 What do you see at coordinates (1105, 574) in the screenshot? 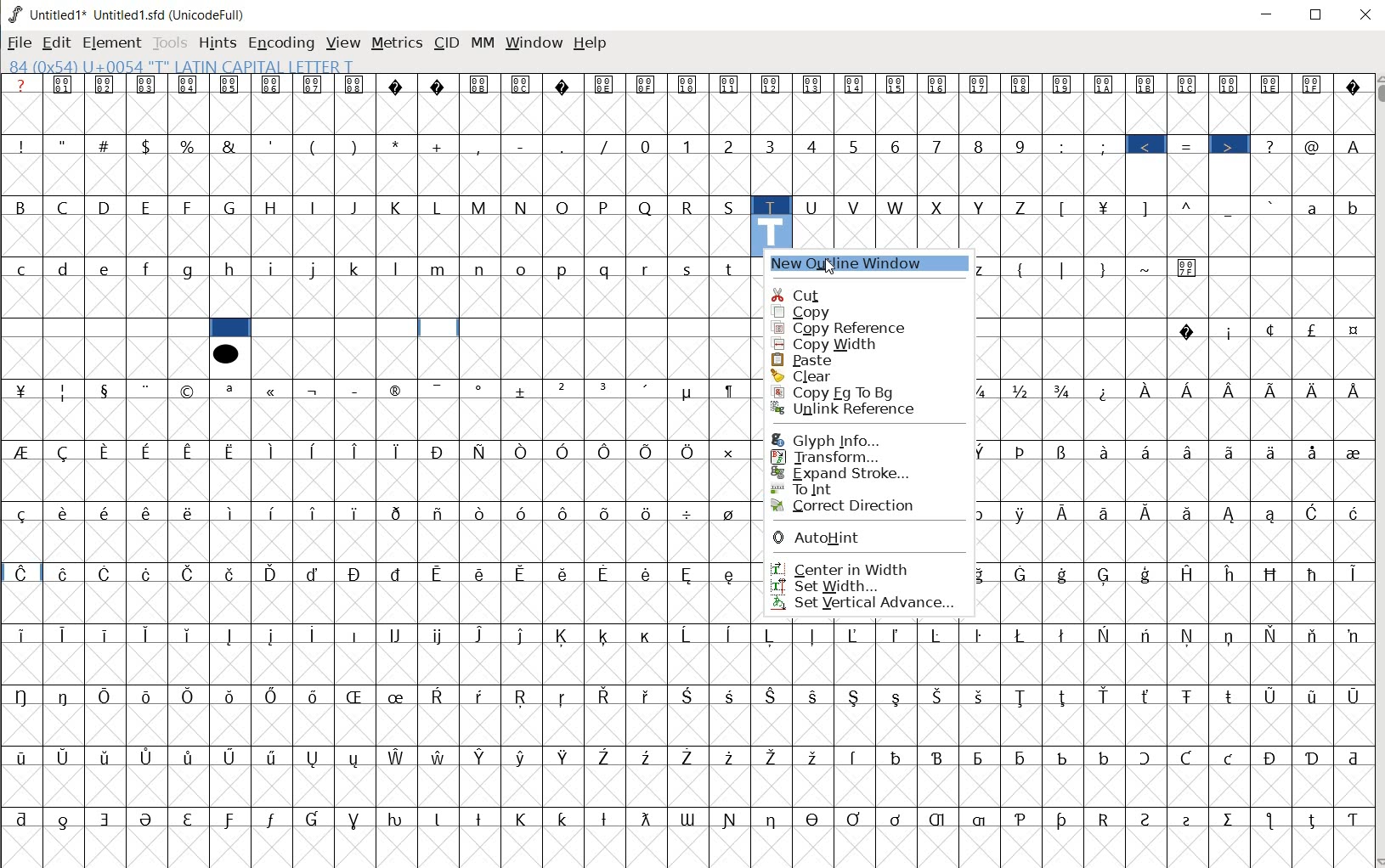
I see `Symbol` at bounding box center [1105, 574].